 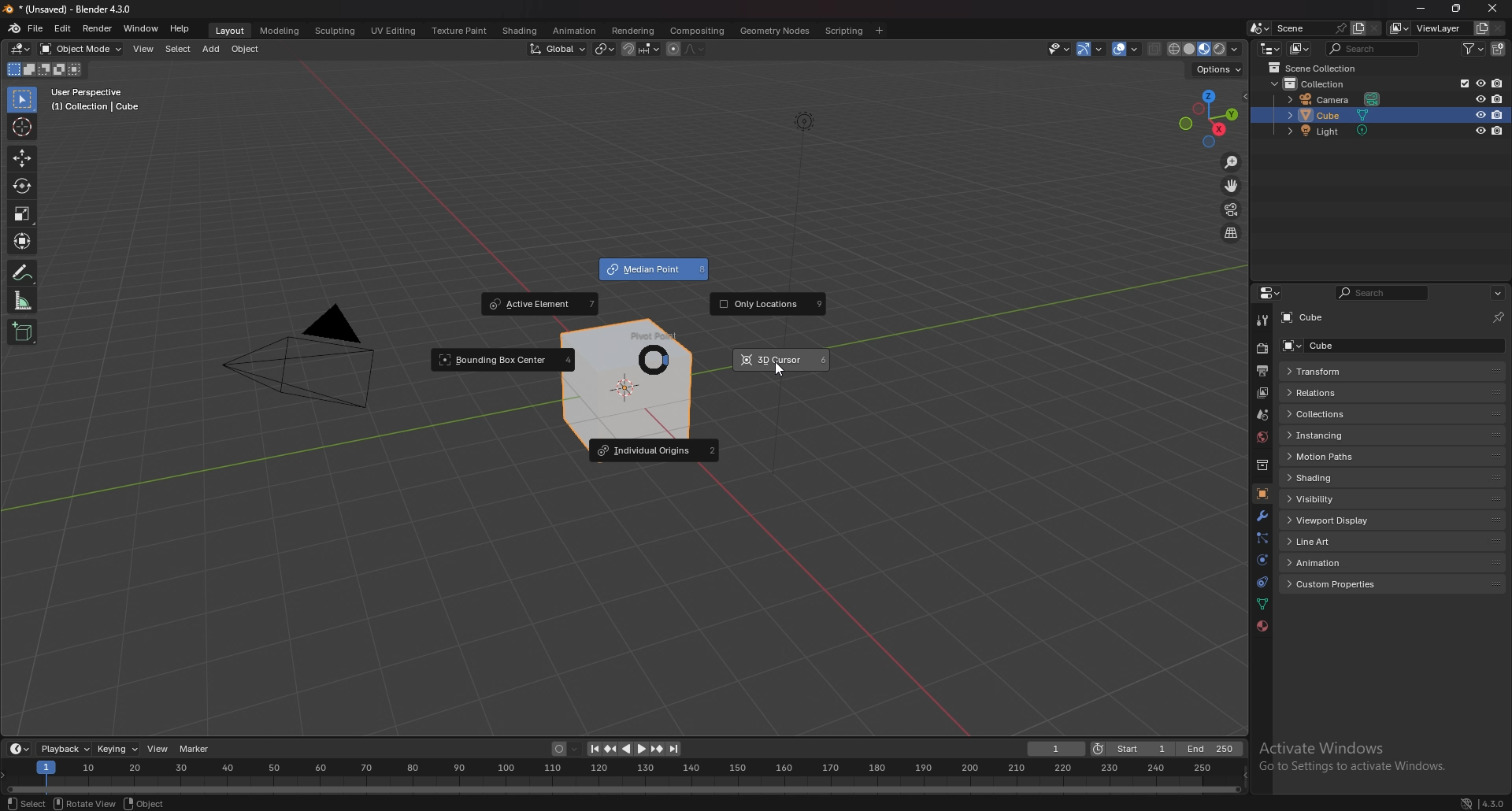 I want to click on object mode, so click(x=82, y=48).